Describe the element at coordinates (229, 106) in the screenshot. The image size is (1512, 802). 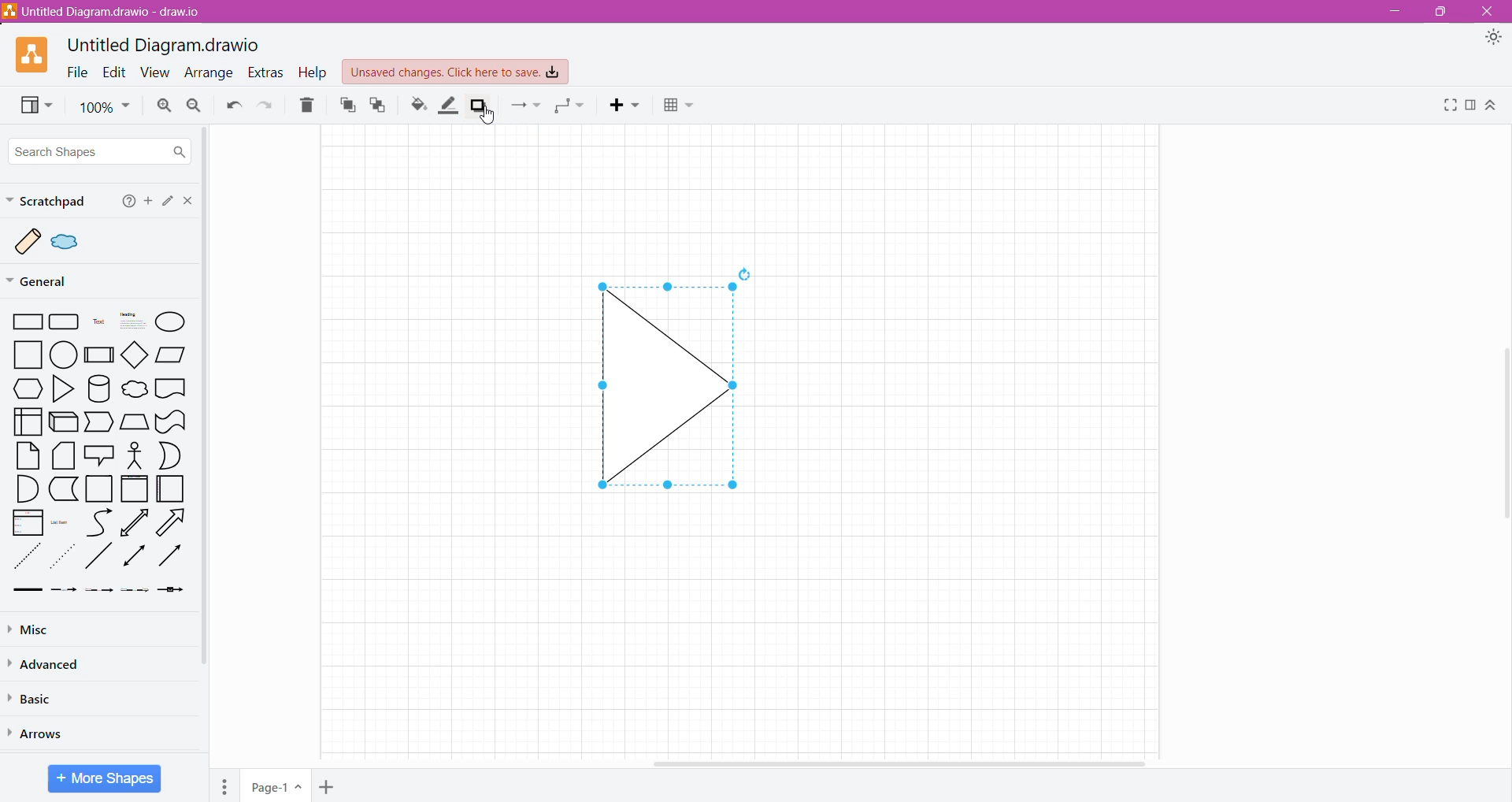
I see `Undo` at that location.